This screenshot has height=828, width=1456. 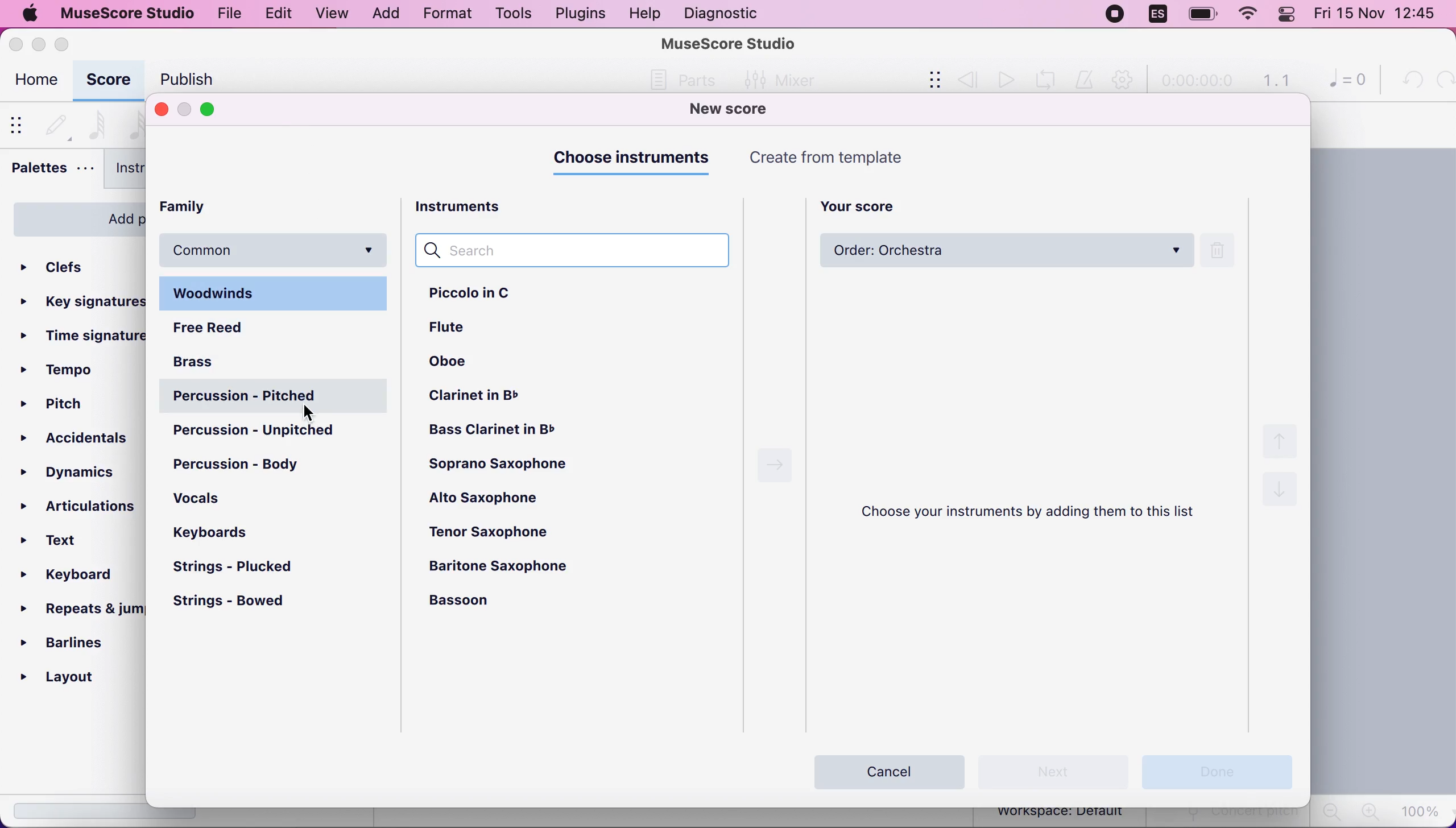 What do you see at coordinates (204, 208) in the screenshot?
I see `family` at bounding box center [204, 208].